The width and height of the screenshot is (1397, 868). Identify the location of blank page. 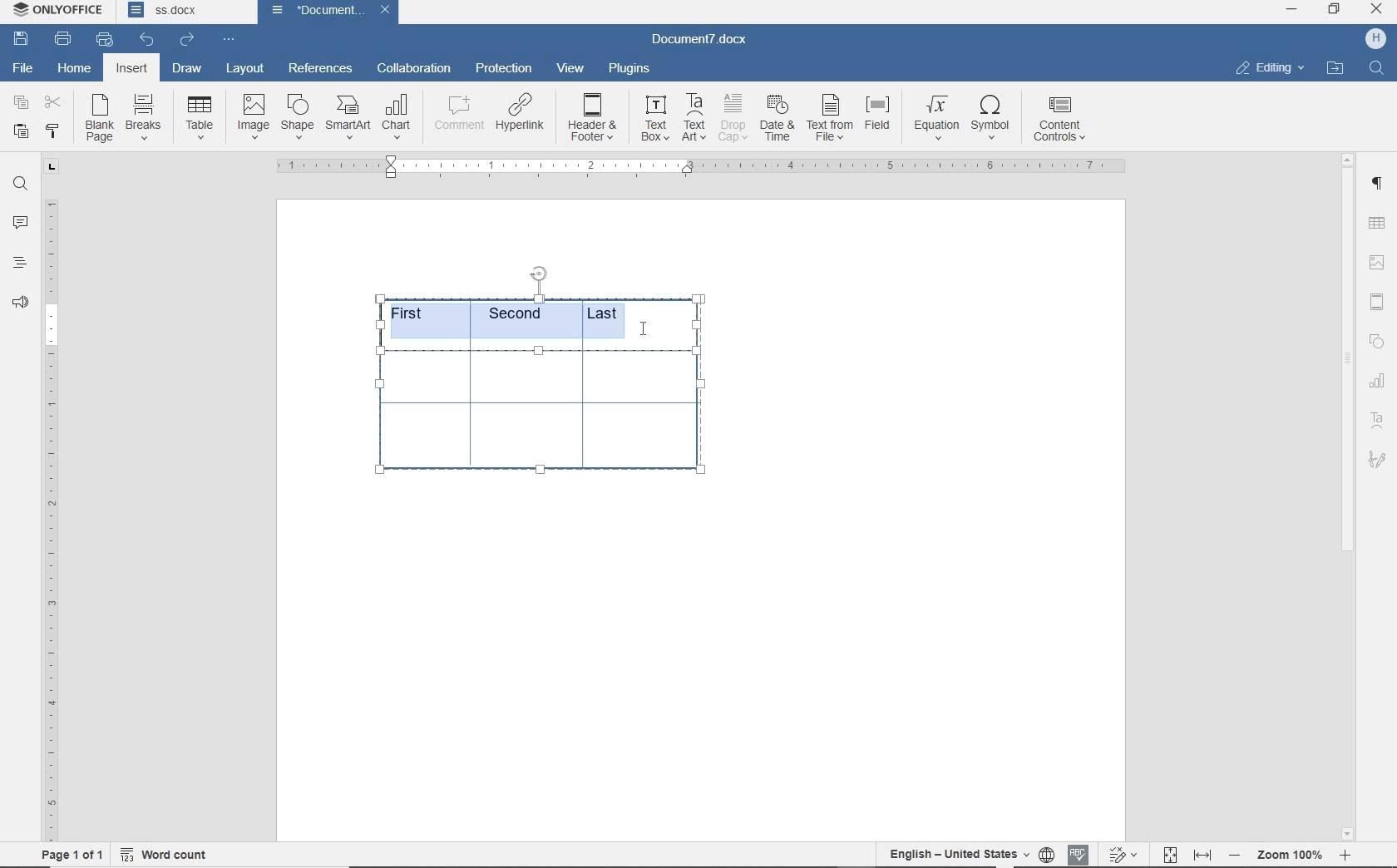
(100, 121).